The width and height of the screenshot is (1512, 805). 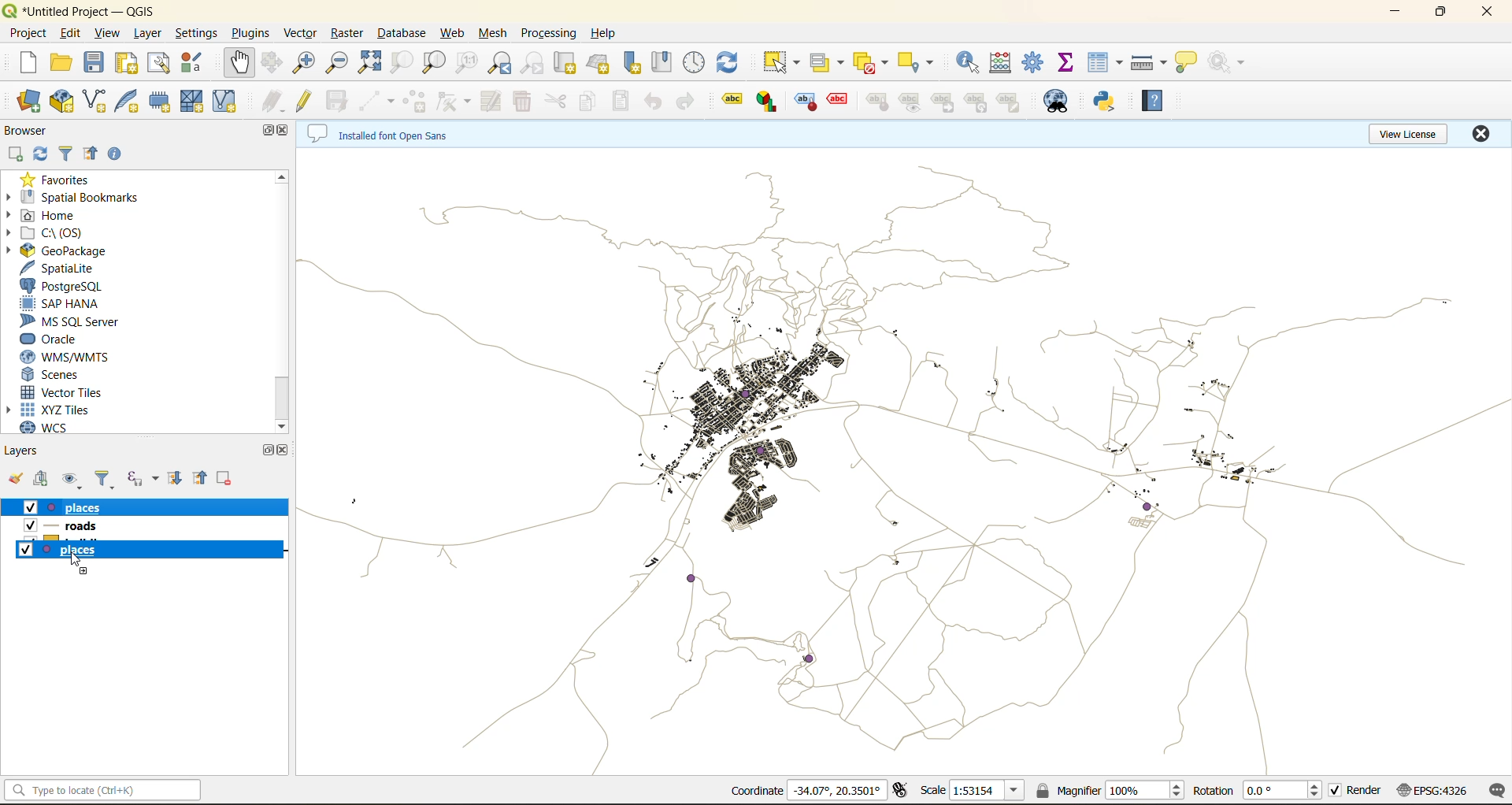 What do you see at coordinates (275, 103) in the screenshot?
I see `edits` at bounding box center [275, 103].